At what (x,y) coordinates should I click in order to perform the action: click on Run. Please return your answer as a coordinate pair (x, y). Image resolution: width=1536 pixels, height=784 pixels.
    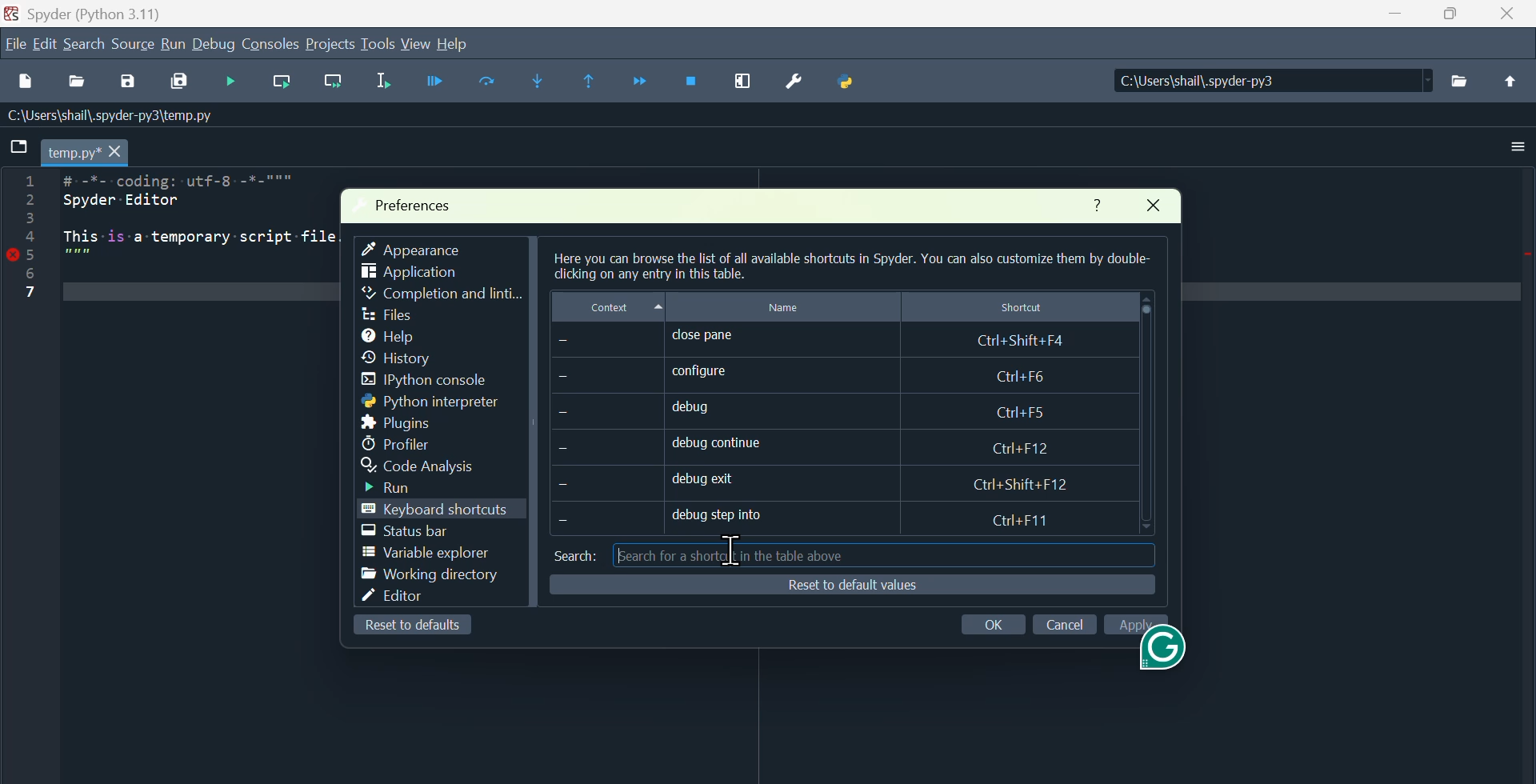
    Looking at the image, I should click on (177, 47).